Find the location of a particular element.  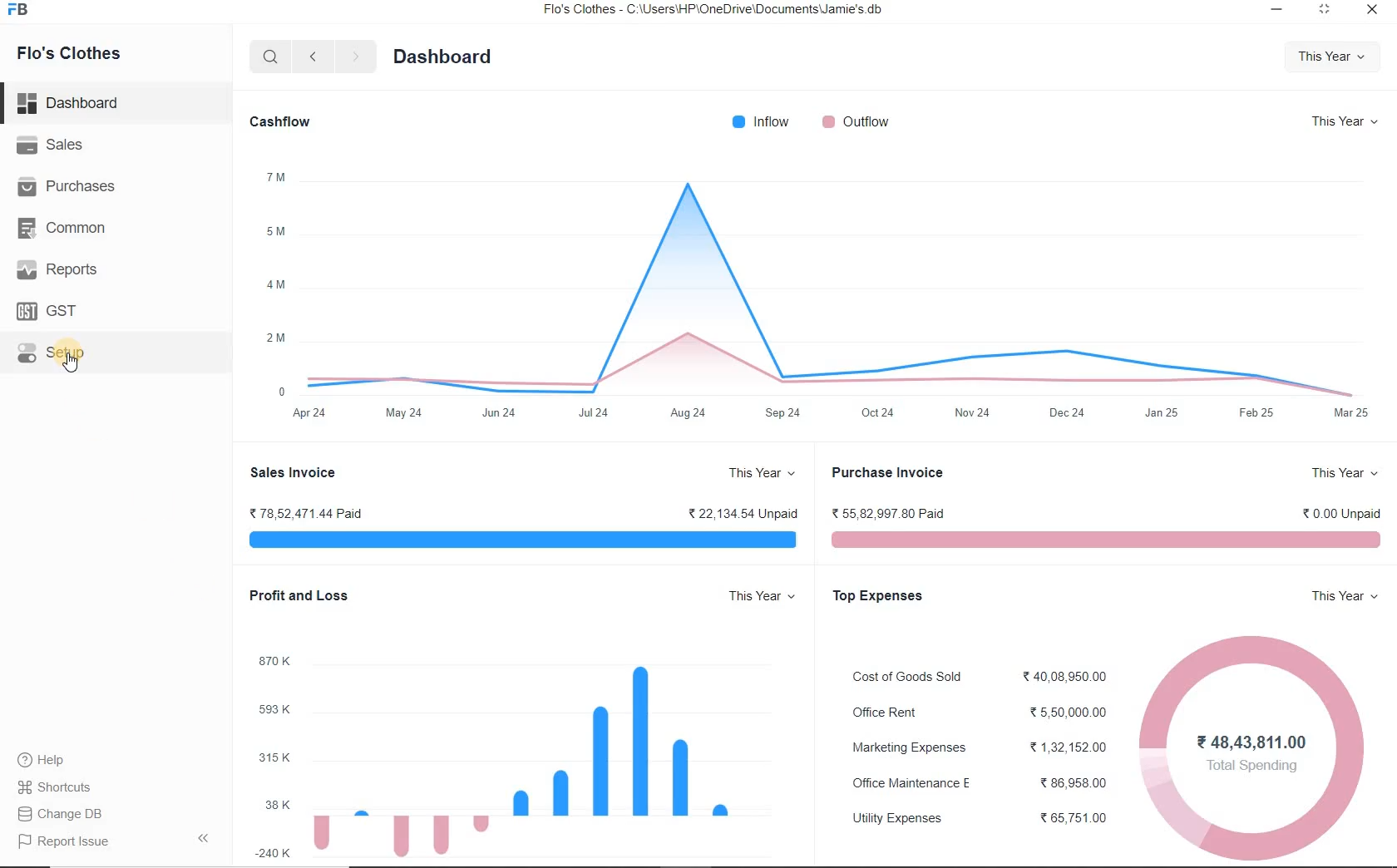

mouse pointer is located at coordinates (72, 366).